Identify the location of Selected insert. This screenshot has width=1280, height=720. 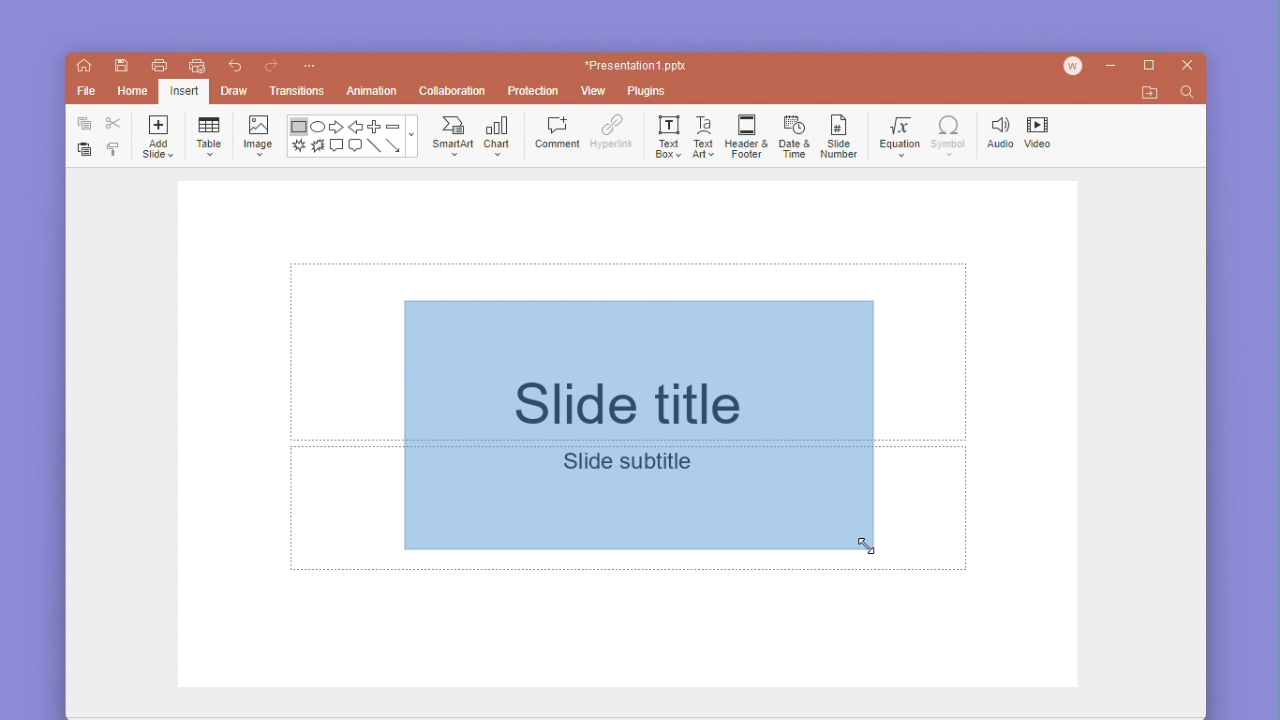
(184, 91).